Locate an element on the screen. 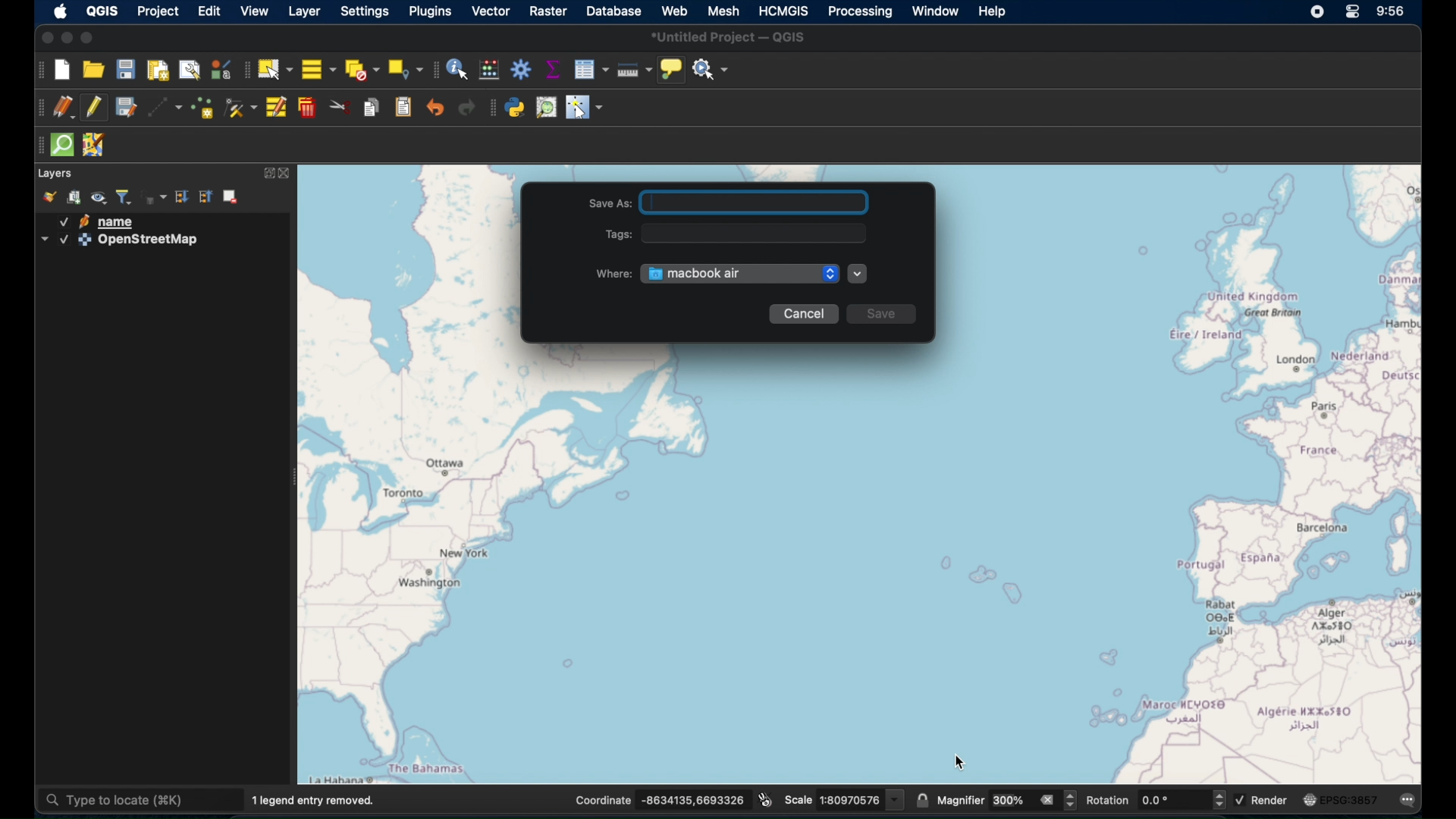 This screenshot has width=1456, height=819. show statistical summary is located at coordinates (553, 70).